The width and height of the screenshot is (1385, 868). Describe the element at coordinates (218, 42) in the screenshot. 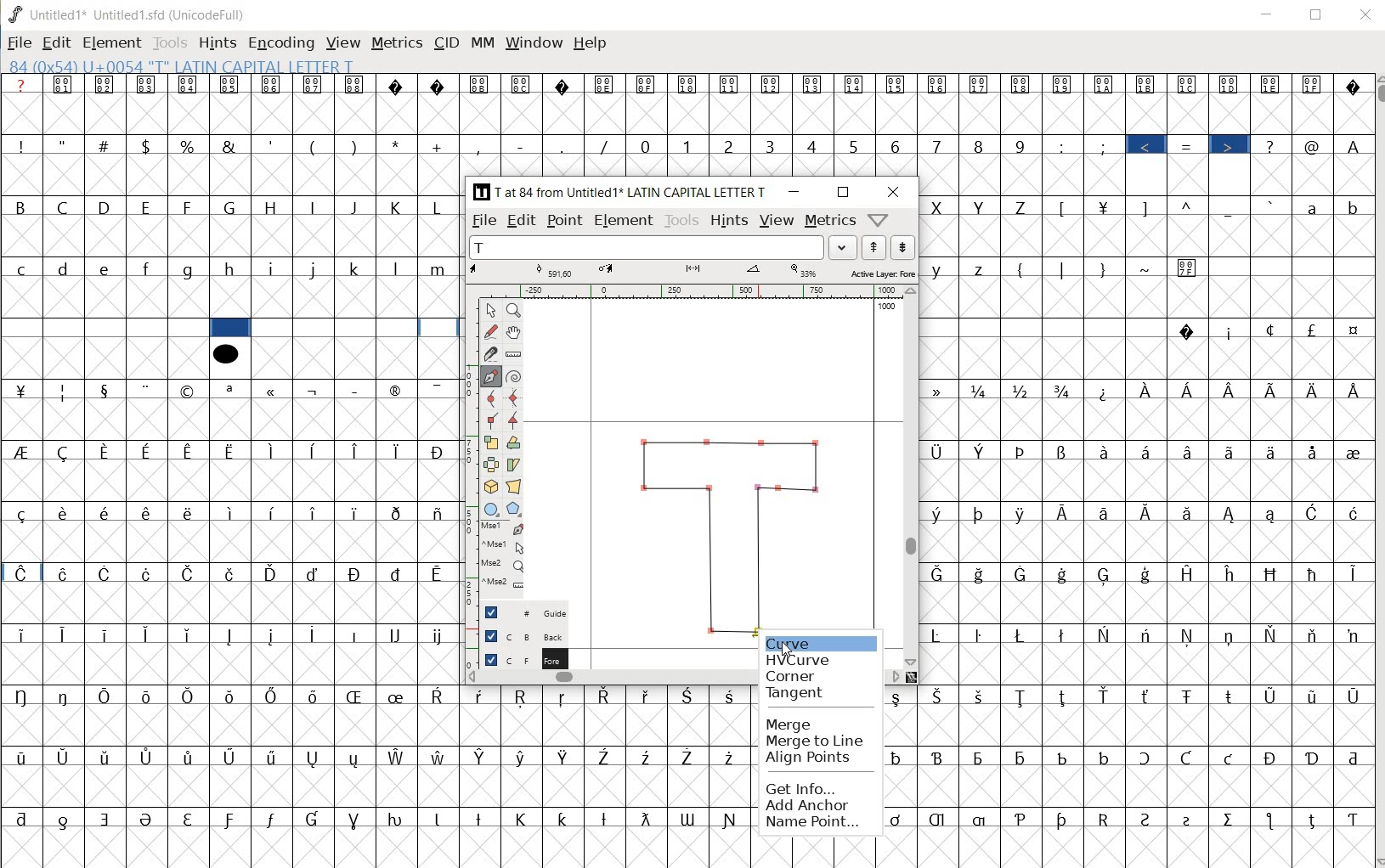

I see `hints` at that location.